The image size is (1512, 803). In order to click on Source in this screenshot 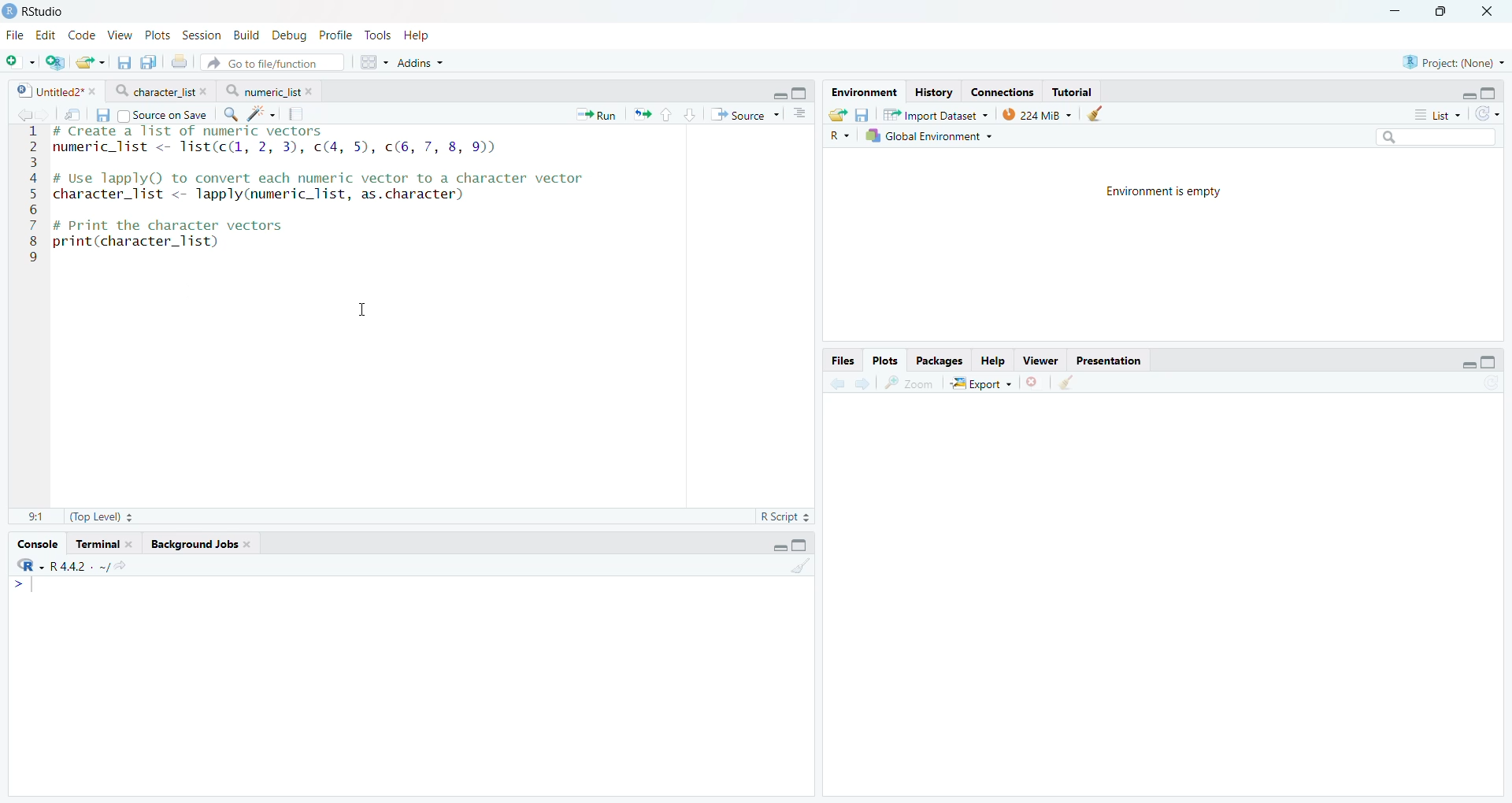, I will do `click(743, 115)`.